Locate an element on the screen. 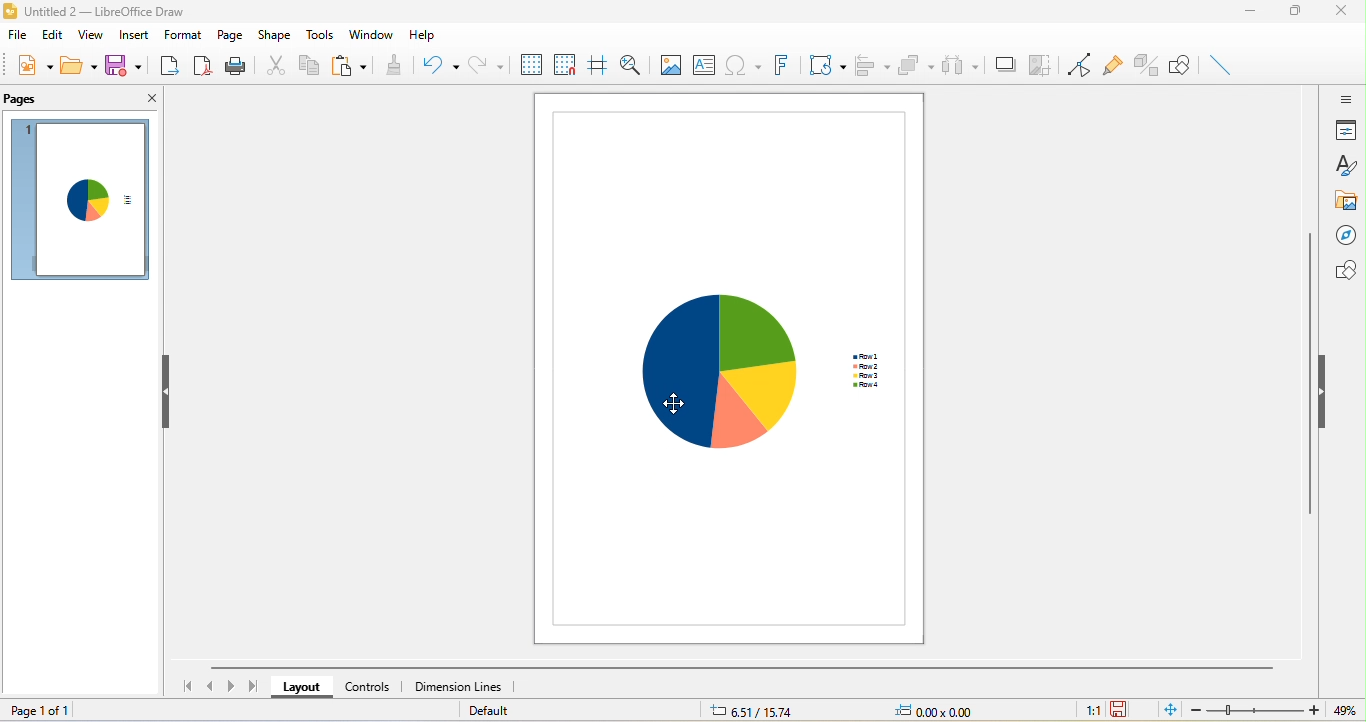 This screenshot has width=1366, height=722. libre office draw logo is located at coordinates (9, 11).